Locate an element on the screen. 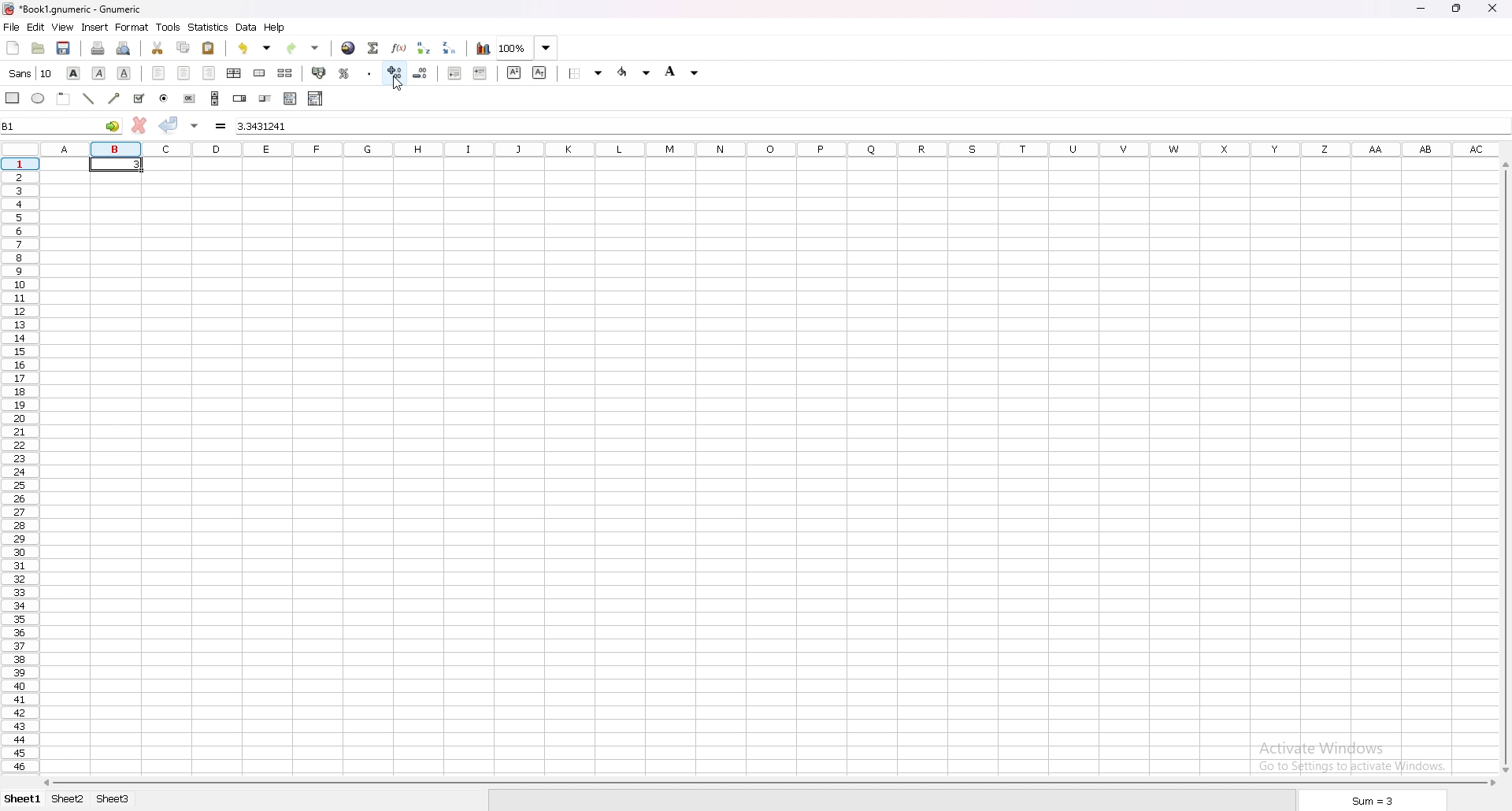 The image size is (1512, 811). increase indent is located at coordinates (480, 74).